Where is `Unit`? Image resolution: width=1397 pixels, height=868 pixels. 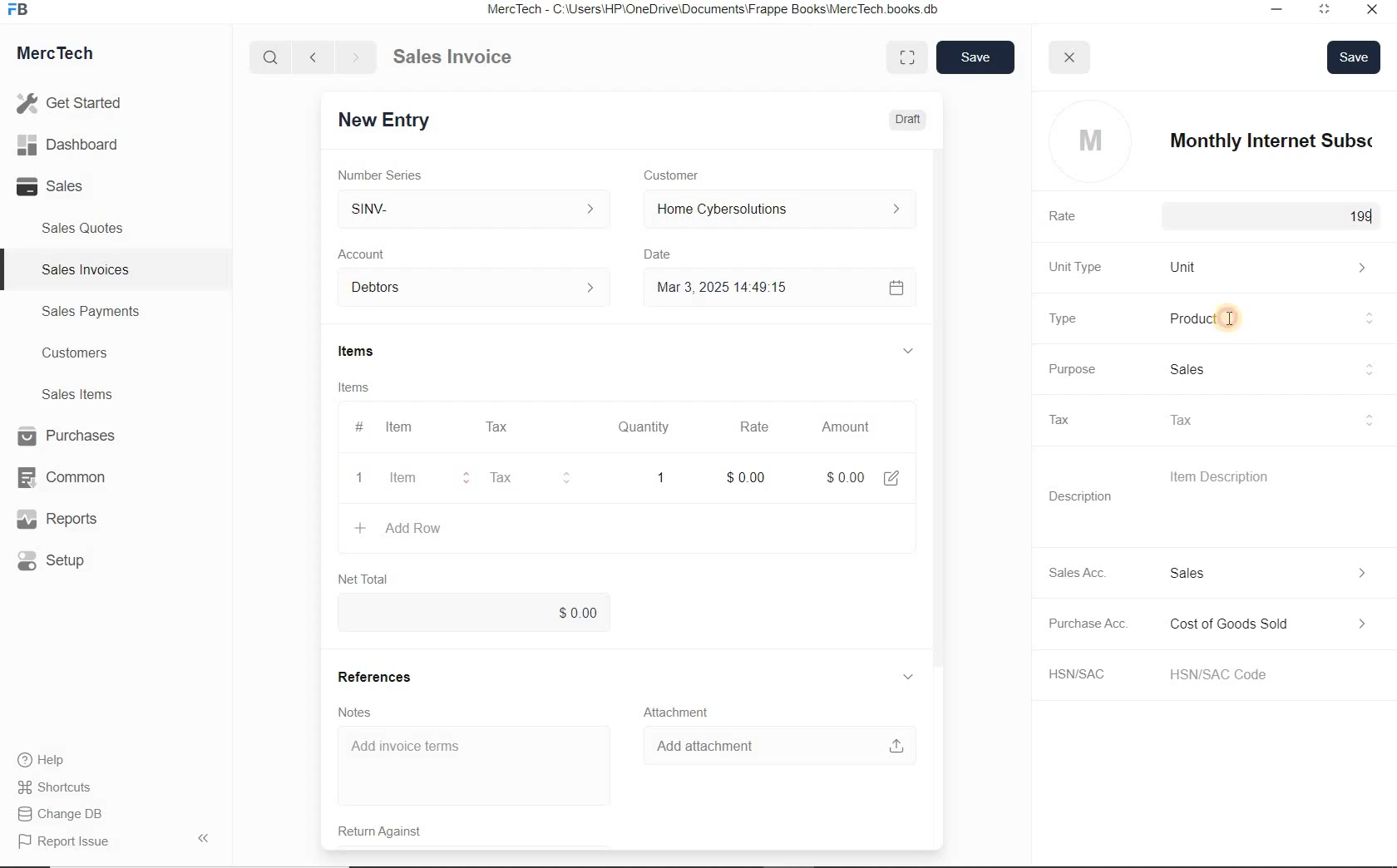 Unit is located at coordinates (1272, 267).